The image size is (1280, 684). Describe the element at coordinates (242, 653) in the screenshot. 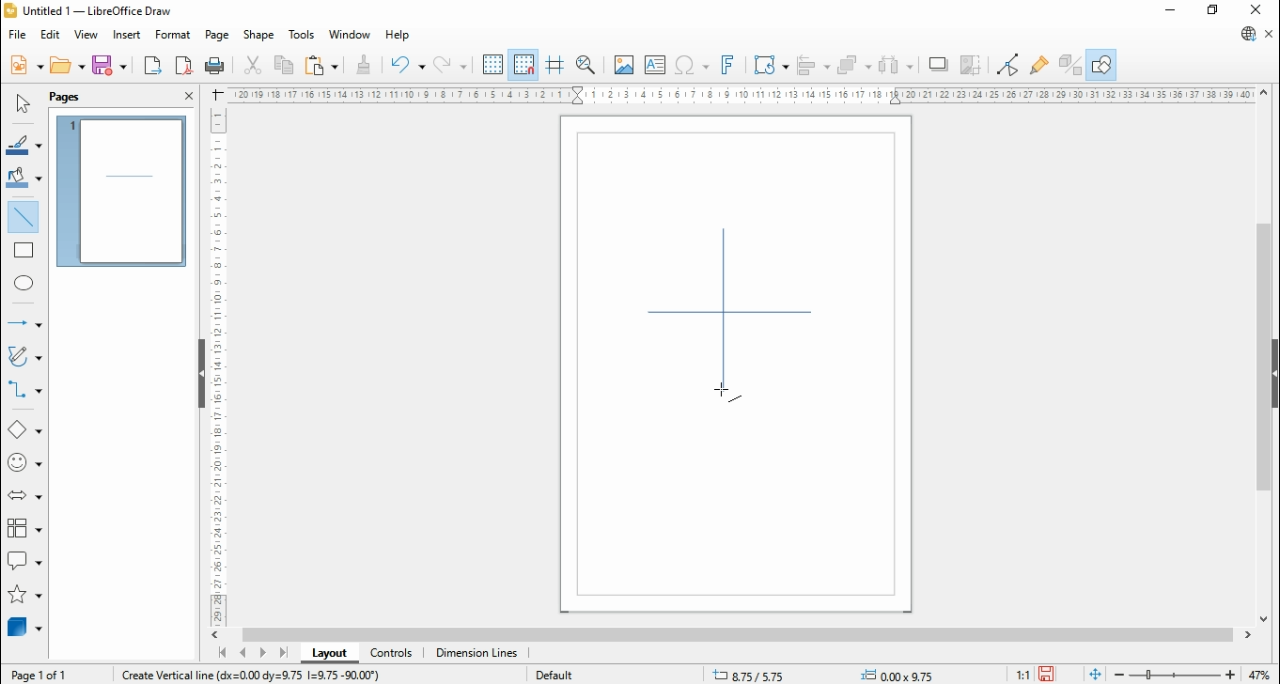

I see `previous page` at that location.